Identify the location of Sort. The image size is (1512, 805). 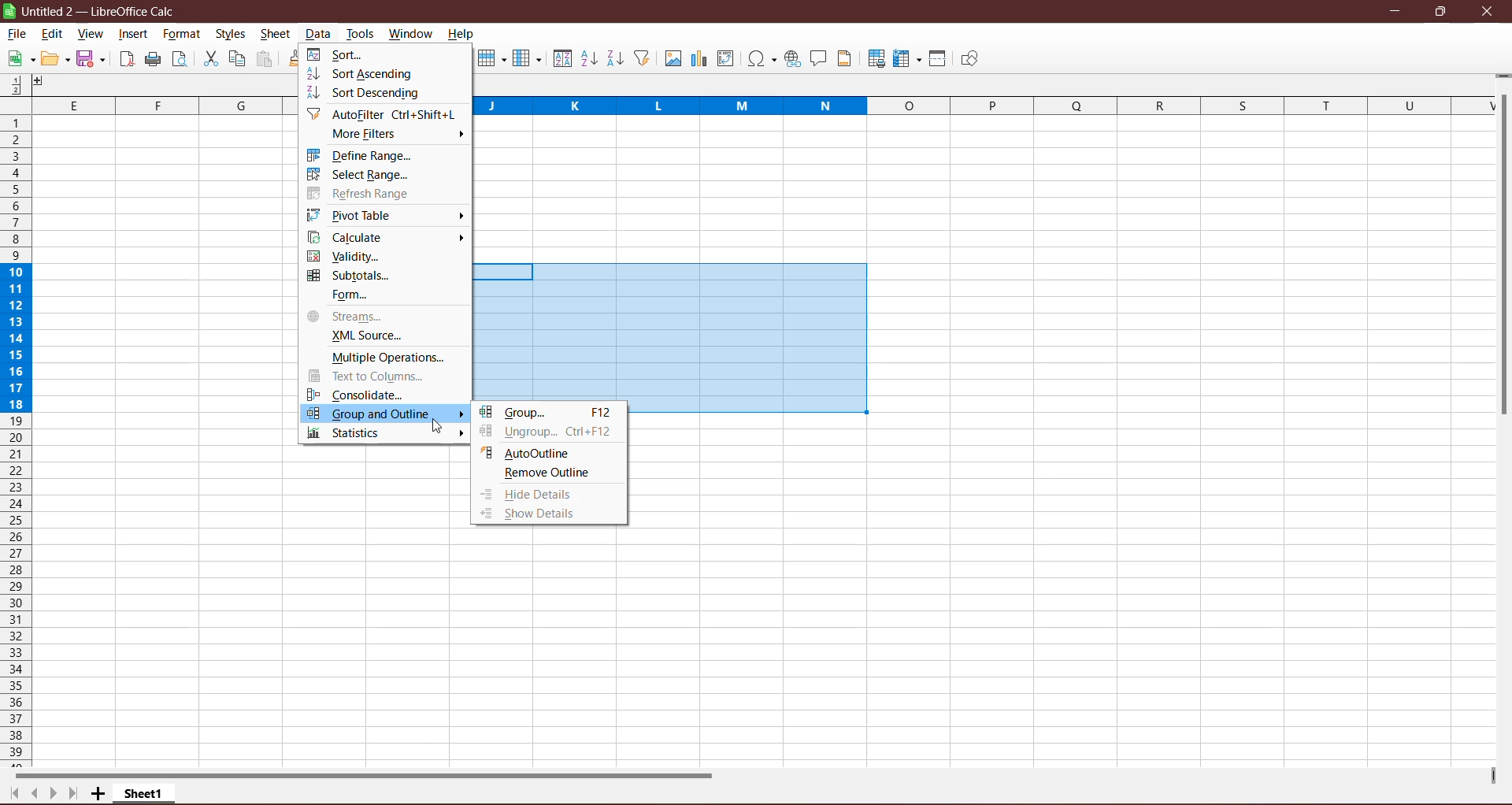
(561, 58).